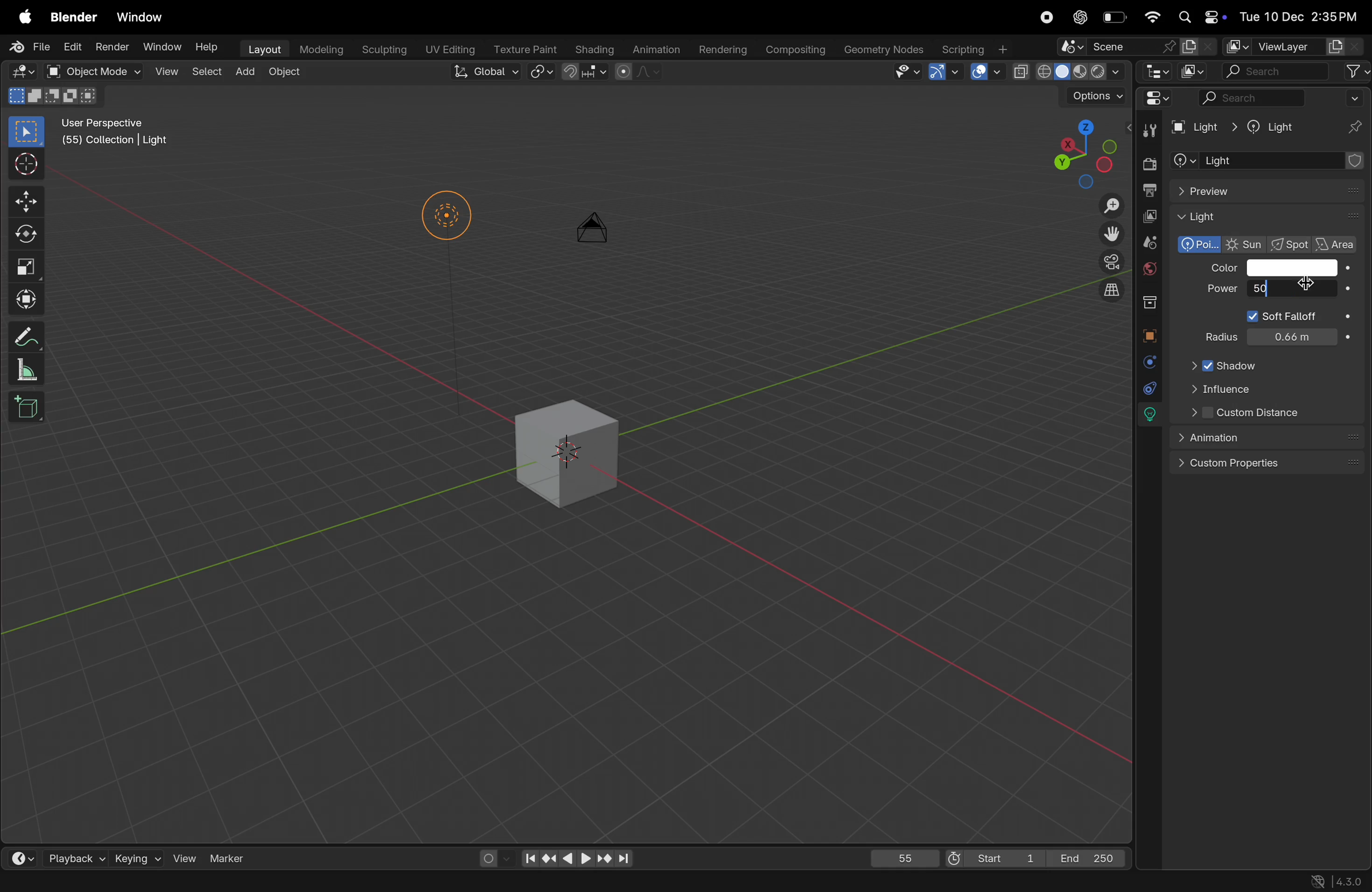  What do you see at coordinates (1268, 190) in the screenshot?
I see `preview` at bounding box center [1268, 190].